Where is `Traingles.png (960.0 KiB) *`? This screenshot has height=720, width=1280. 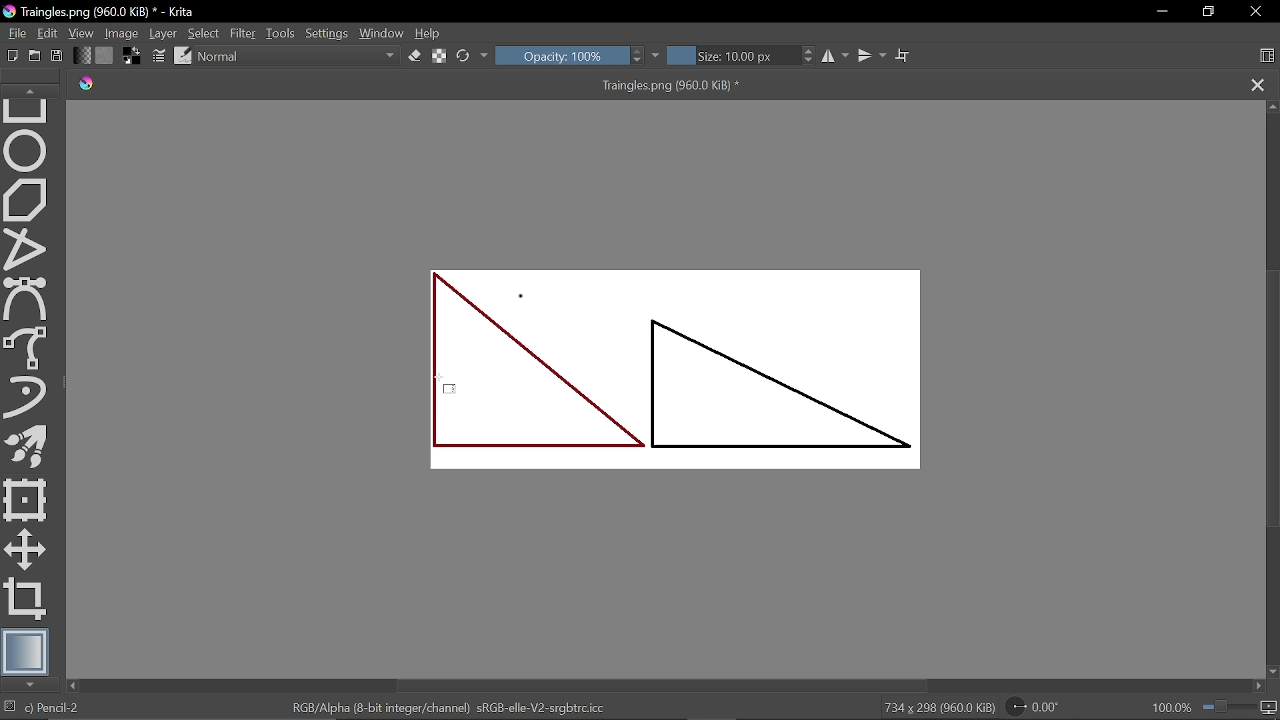 Traingles.png (960.0 KiB) * is located at coordinates (654, 85).